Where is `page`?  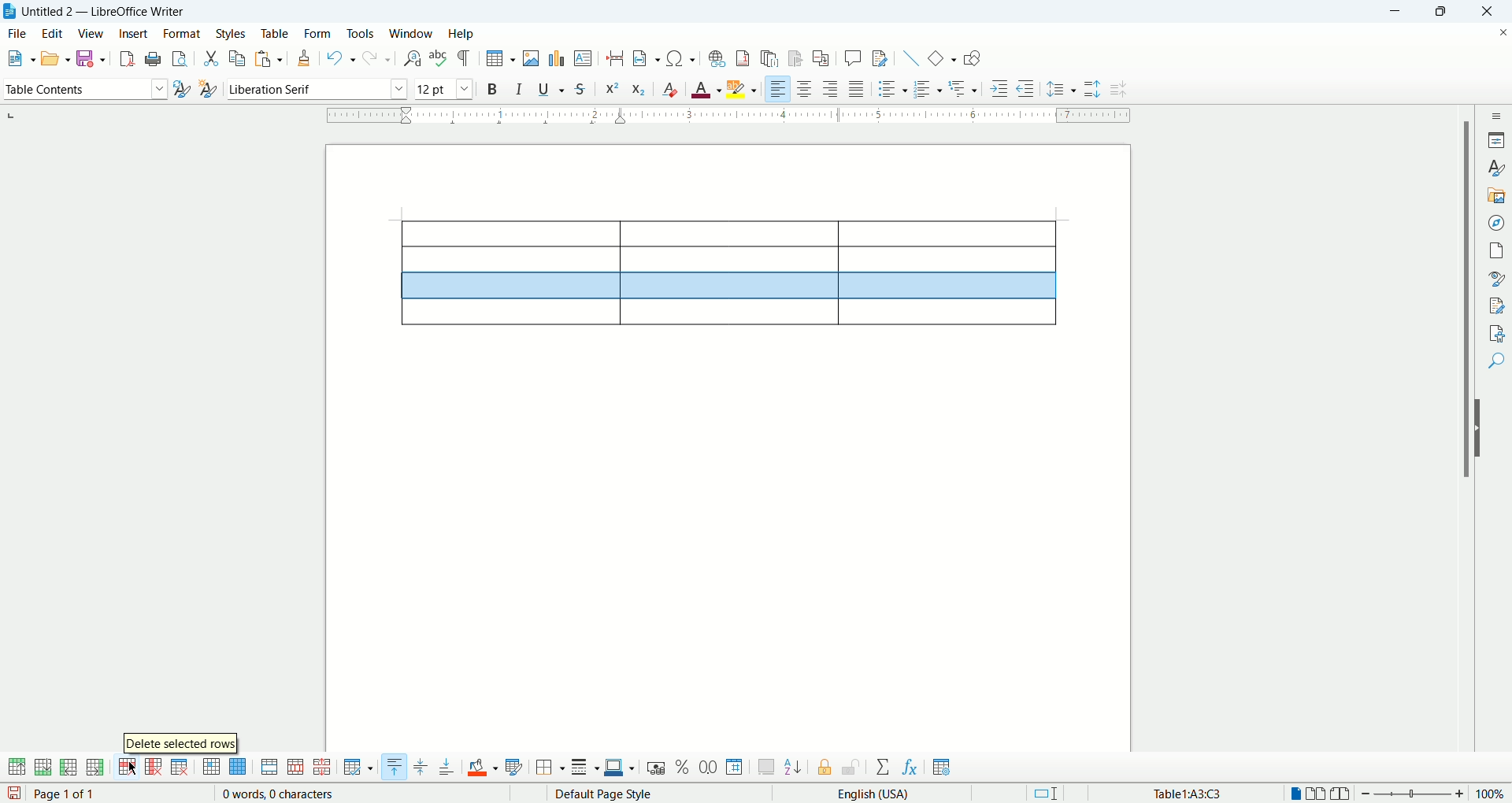 page is located at coordinates (744, 439).